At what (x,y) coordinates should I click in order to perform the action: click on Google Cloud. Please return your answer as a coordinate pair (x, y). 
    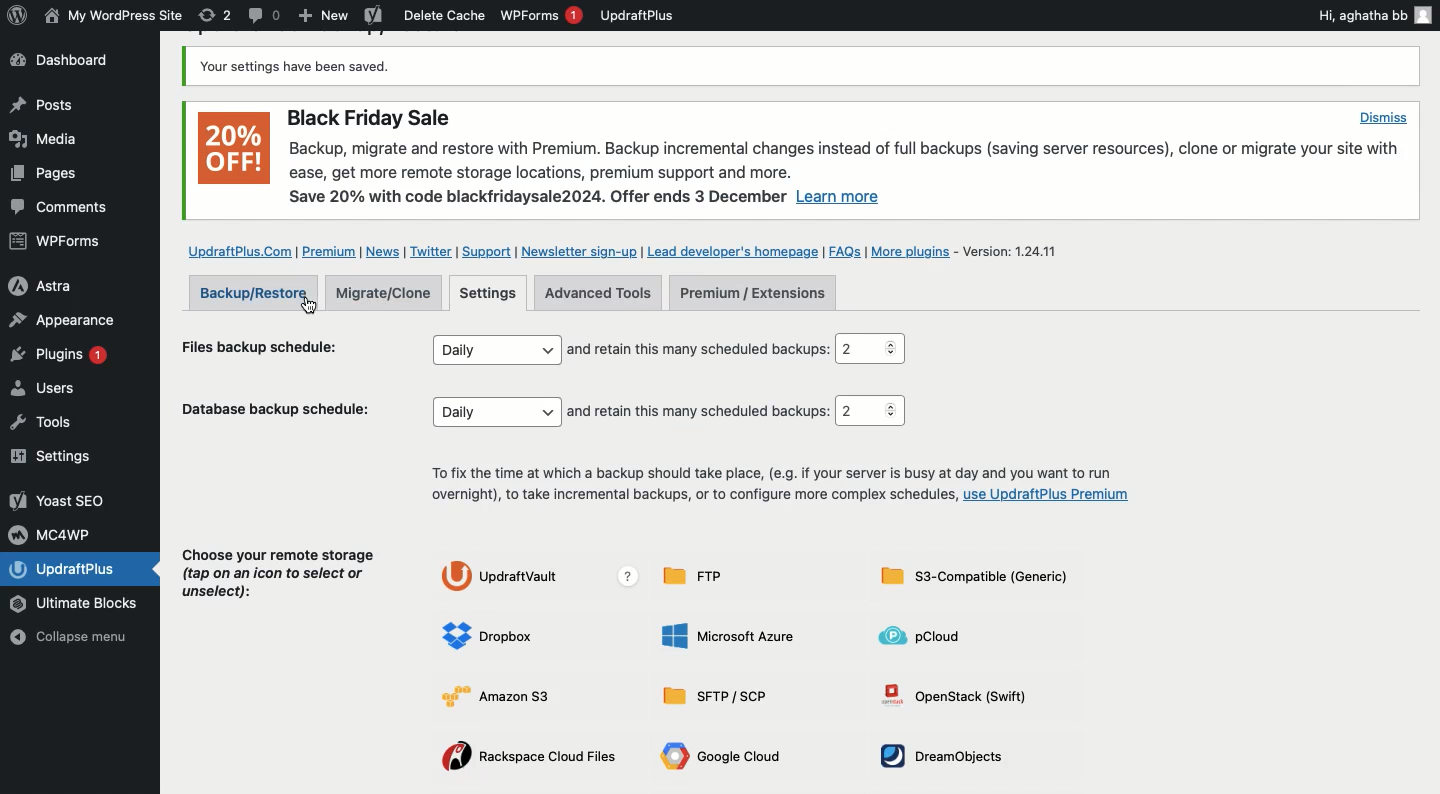
    Looking at the image, I should click on (725, 759).